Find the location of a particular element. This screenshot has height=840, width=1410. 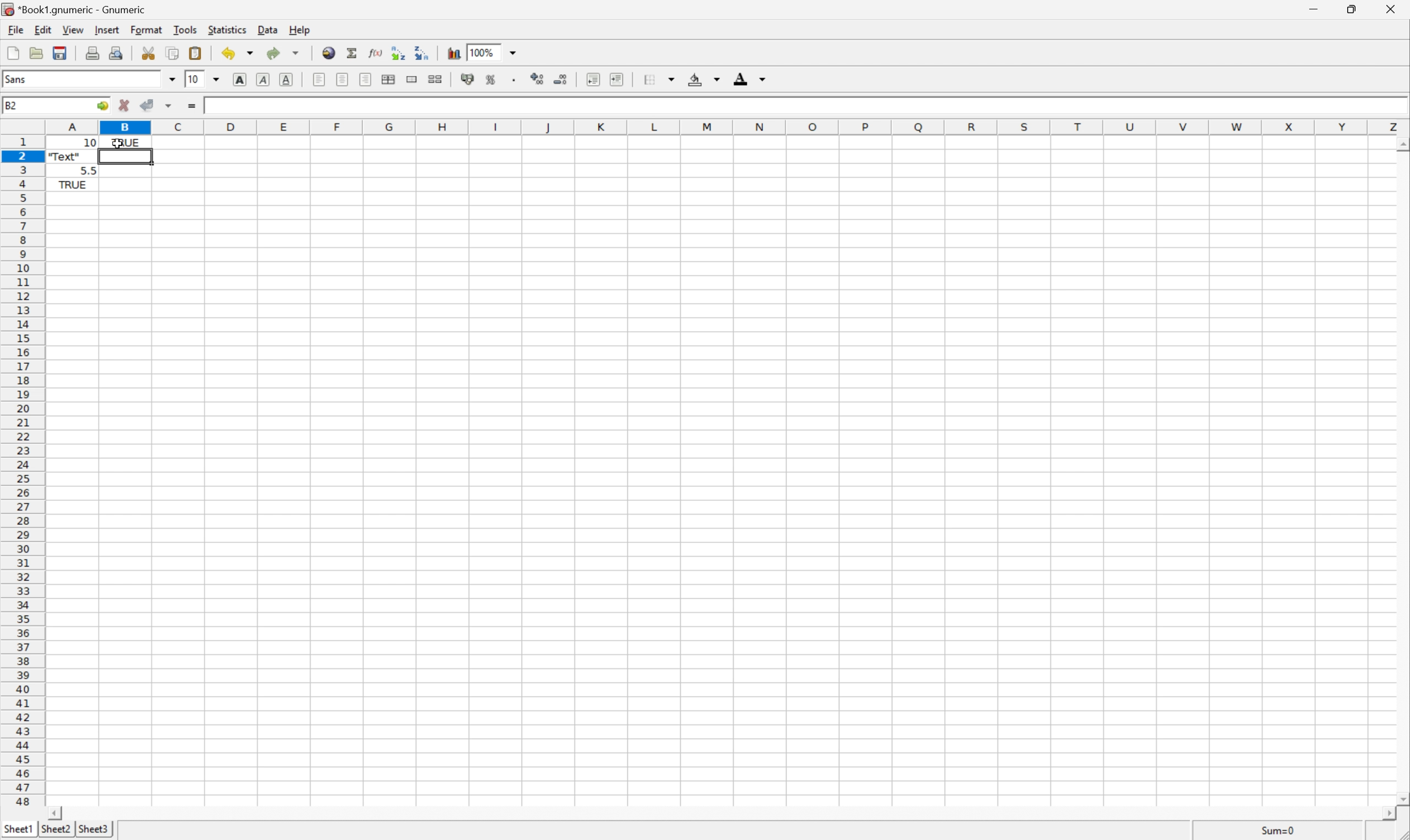

Cancel changes is located at coordinates (125, 106).